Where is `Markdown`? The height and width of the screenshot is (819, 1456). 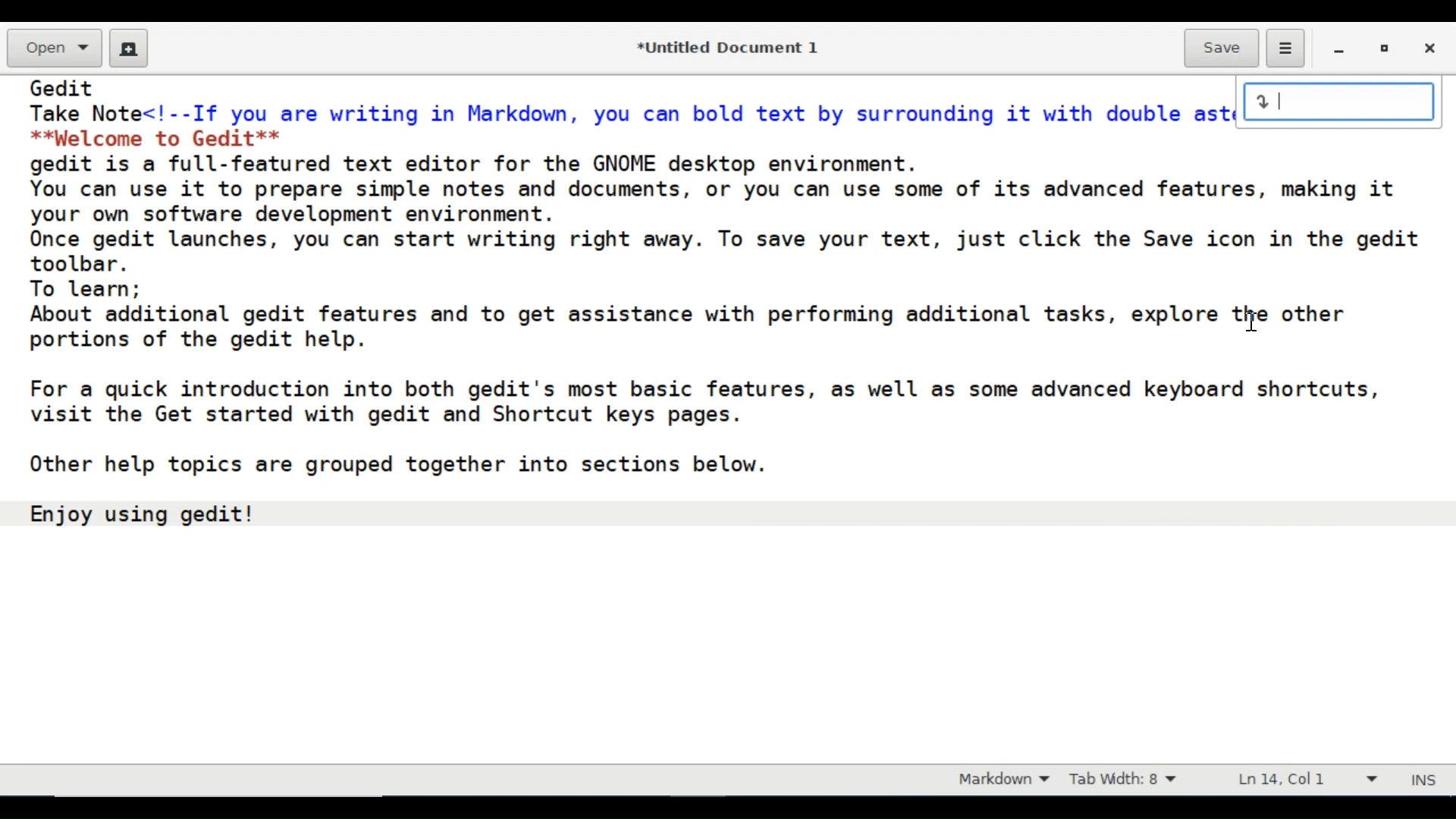
Markdown is located at coordinates (999, 780).